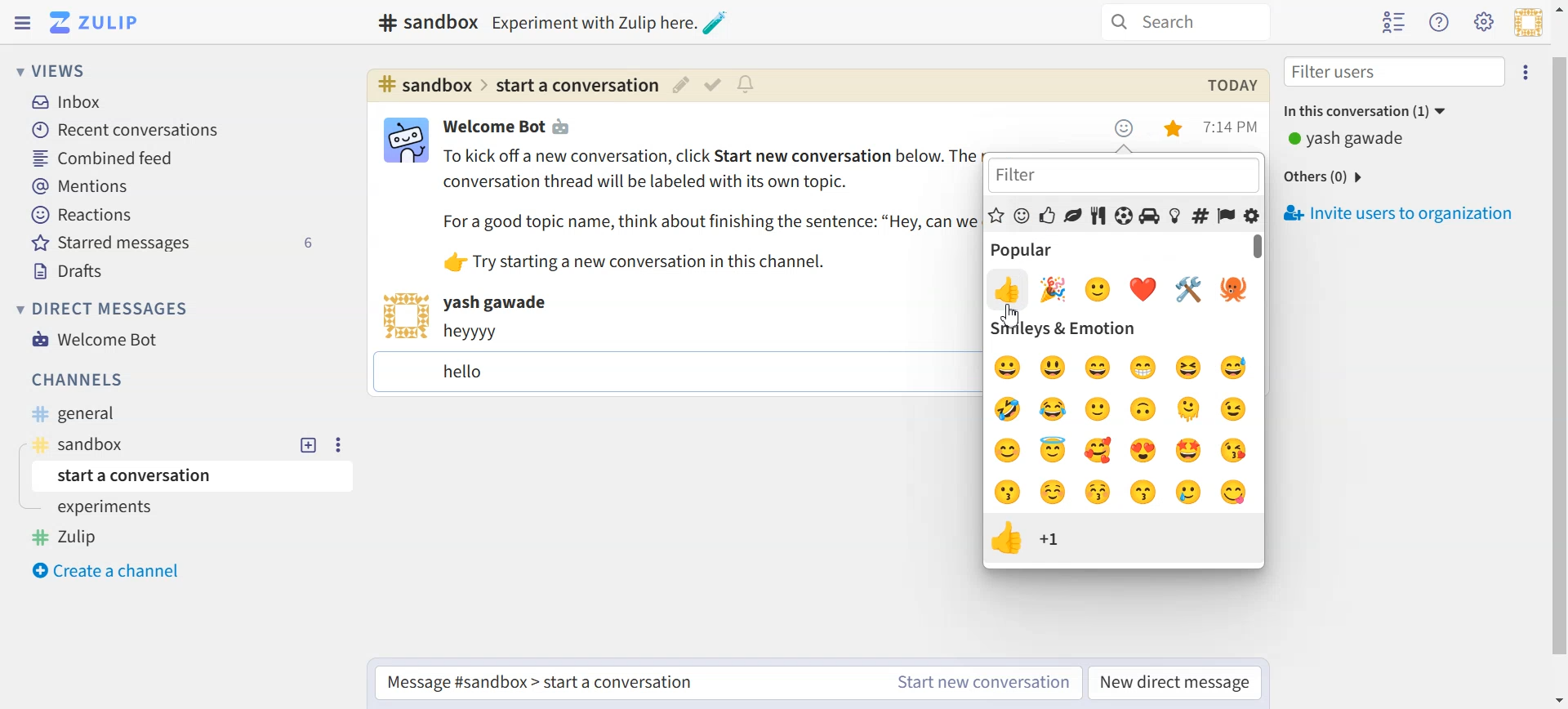 This screenshot has height=709, width=1568. Describe the element at coordinates (1393, 23) in the screenshot. I see `Hide user list` at that location.